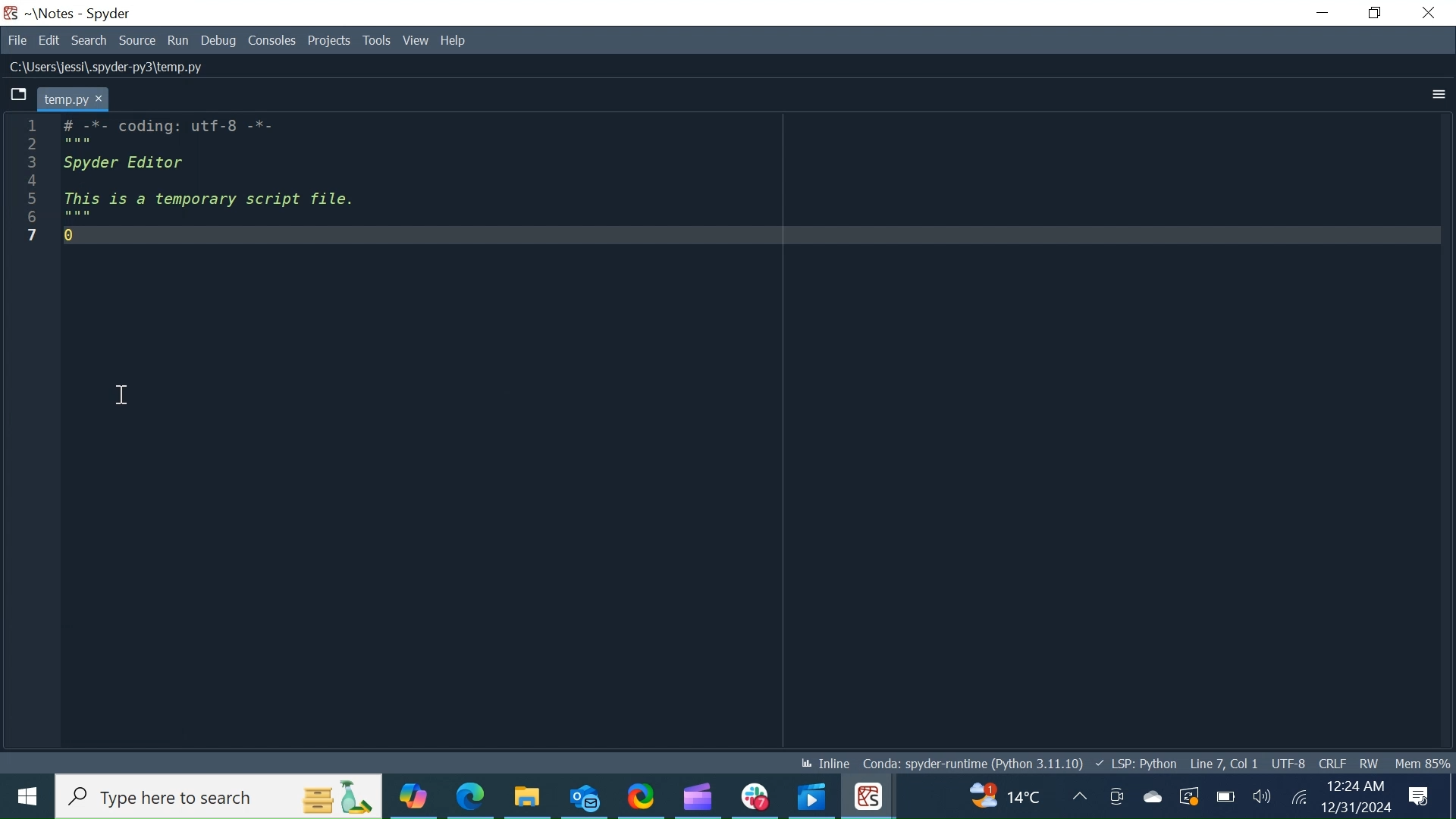  Describe the element at coordinates (138, 41) in the screenshot. I see `Source` at that location.